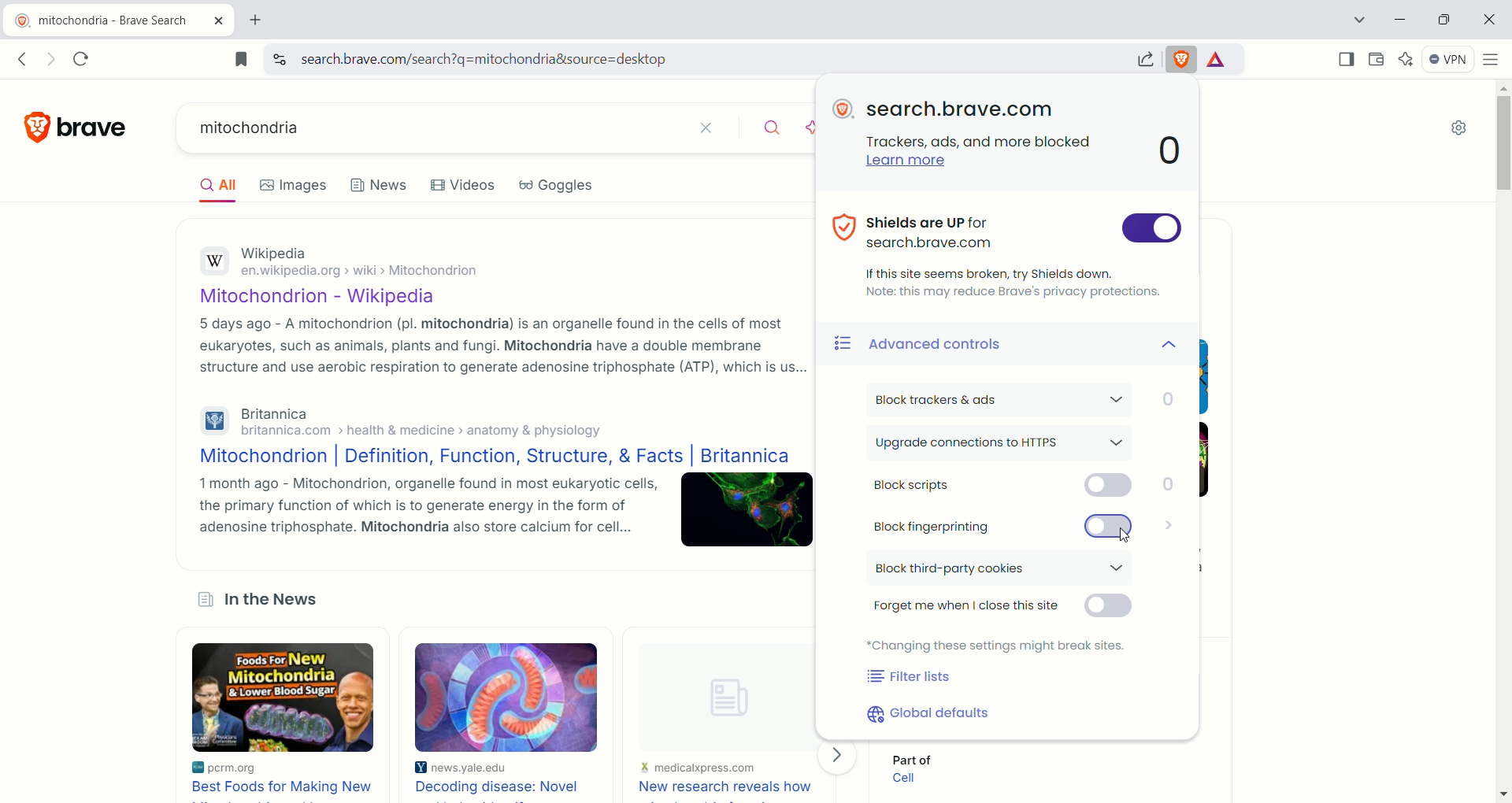 The image size is (1512, 803). What do you see at coordinates (1014, 281) in the screenshot?
I see `If this site seems broken, try shields down. Note: this may reduce Brave's privacy protections.` at bounding box center [1014, 281].